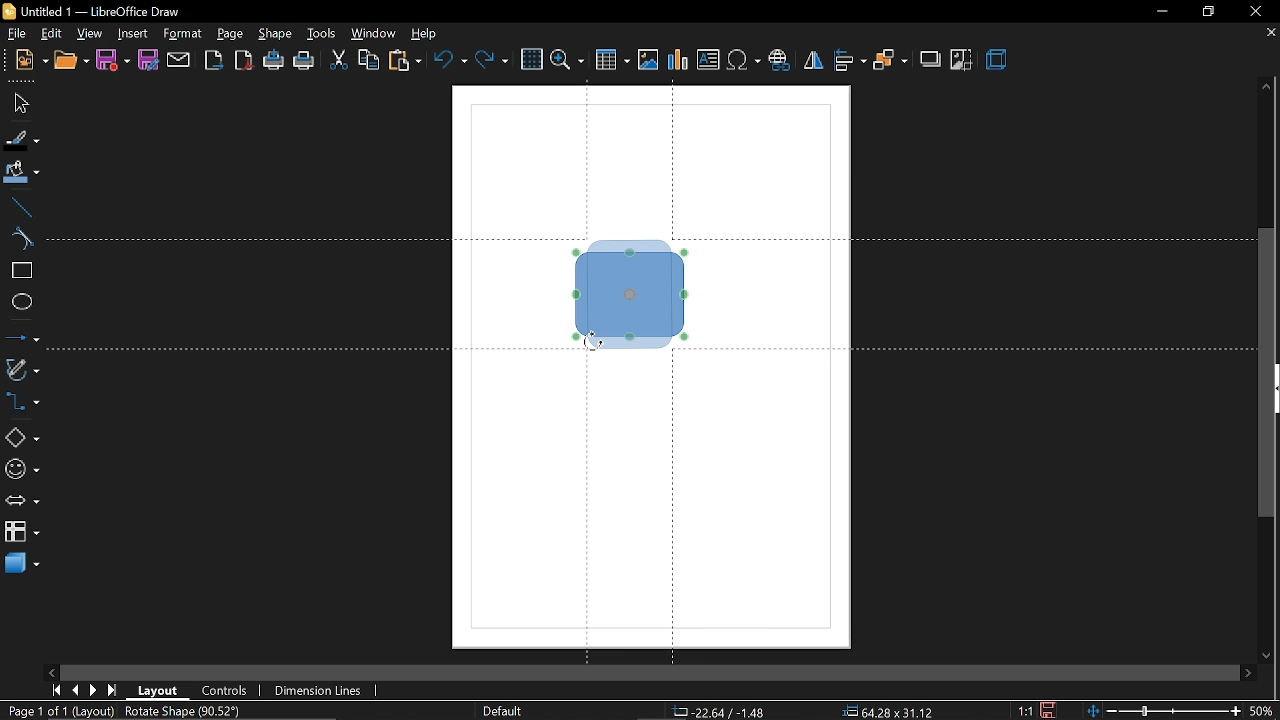 This screenshot has width=1280, height=720. I want to click on print, so click(305, 61).